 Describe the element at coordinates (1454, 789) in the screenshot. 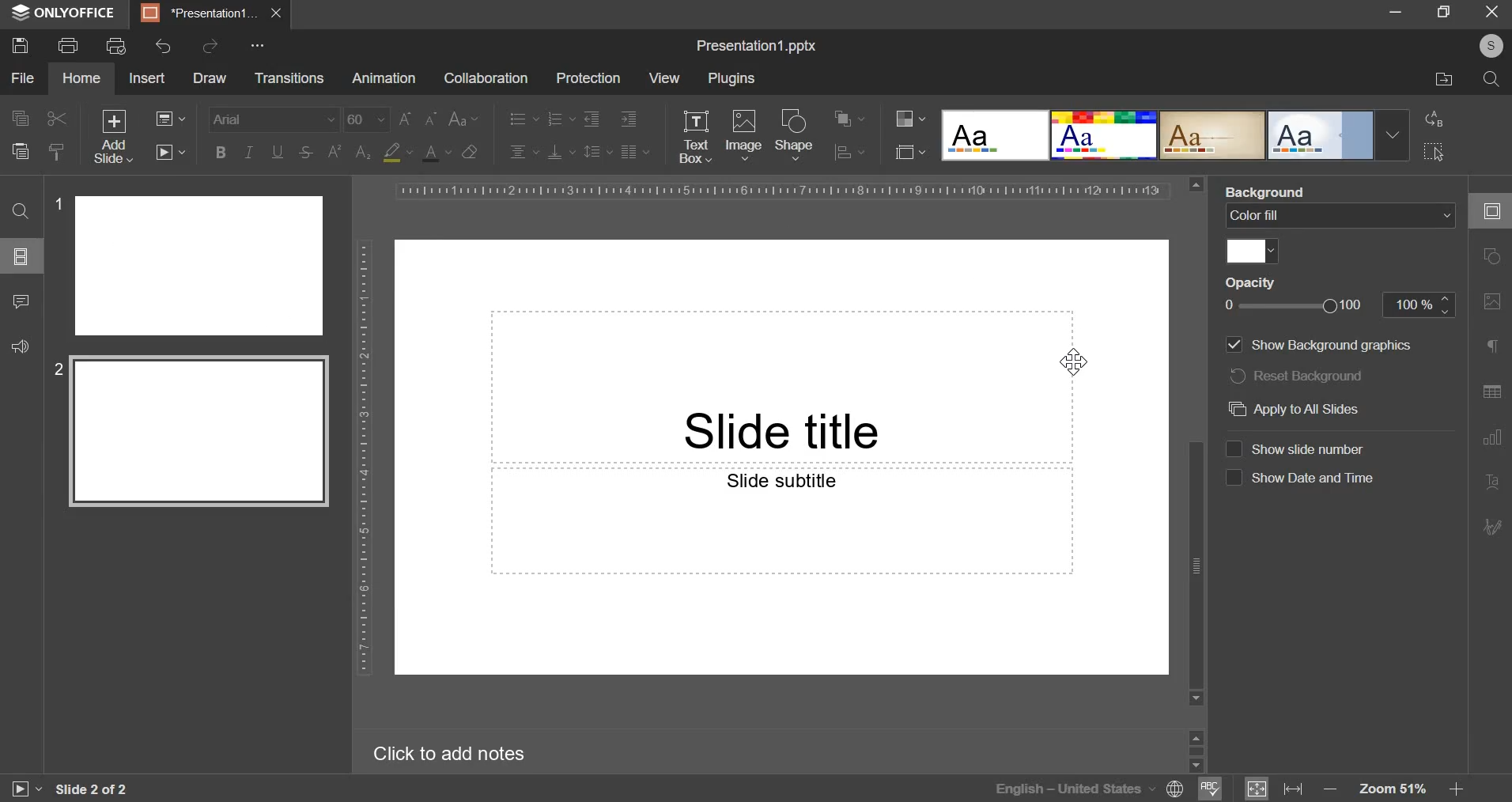

I see `zoom in` at that location.